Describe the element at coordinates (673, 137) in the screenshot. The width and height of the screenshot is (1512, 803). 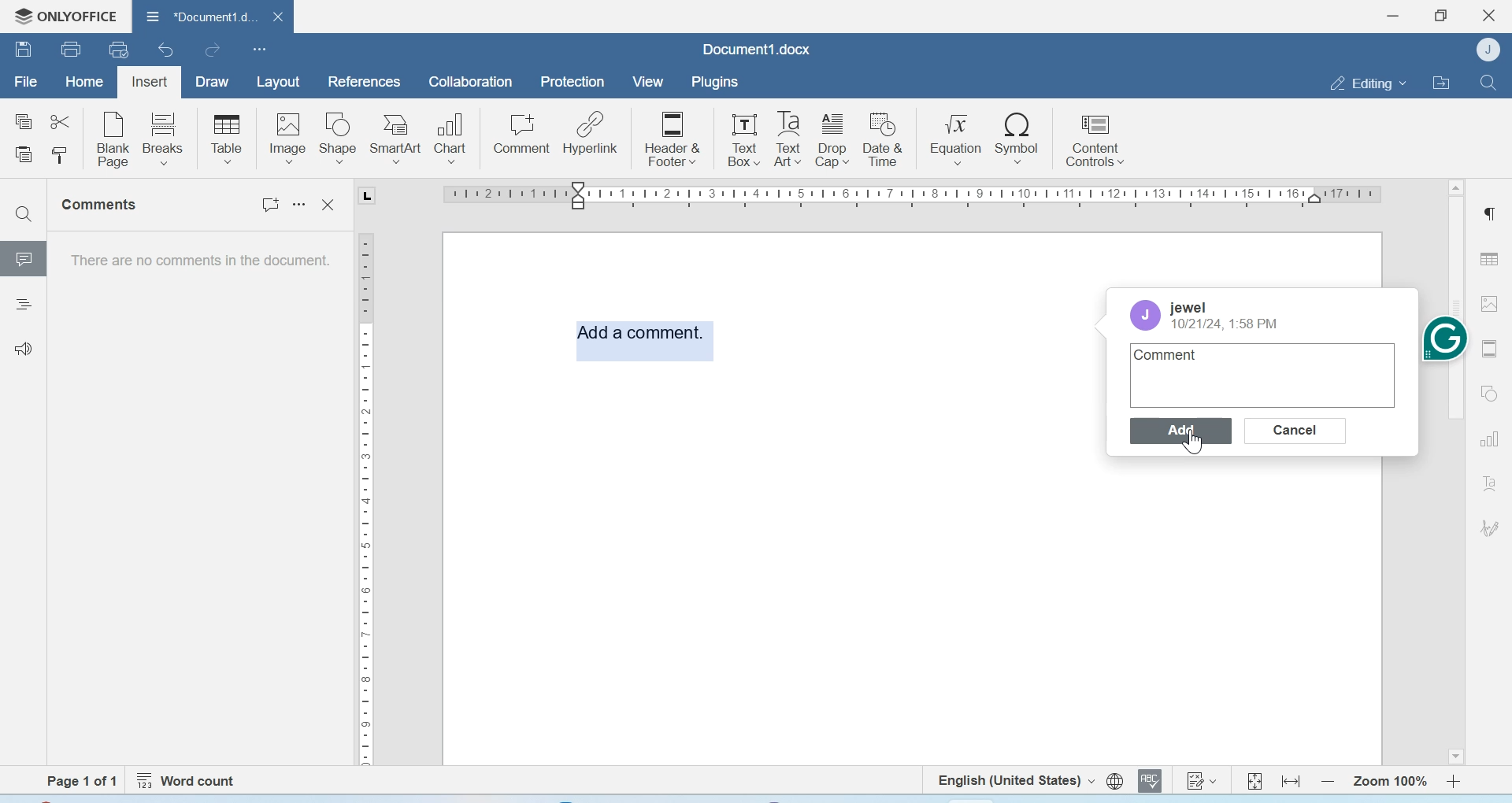
I see `Header & Footer` at that location.